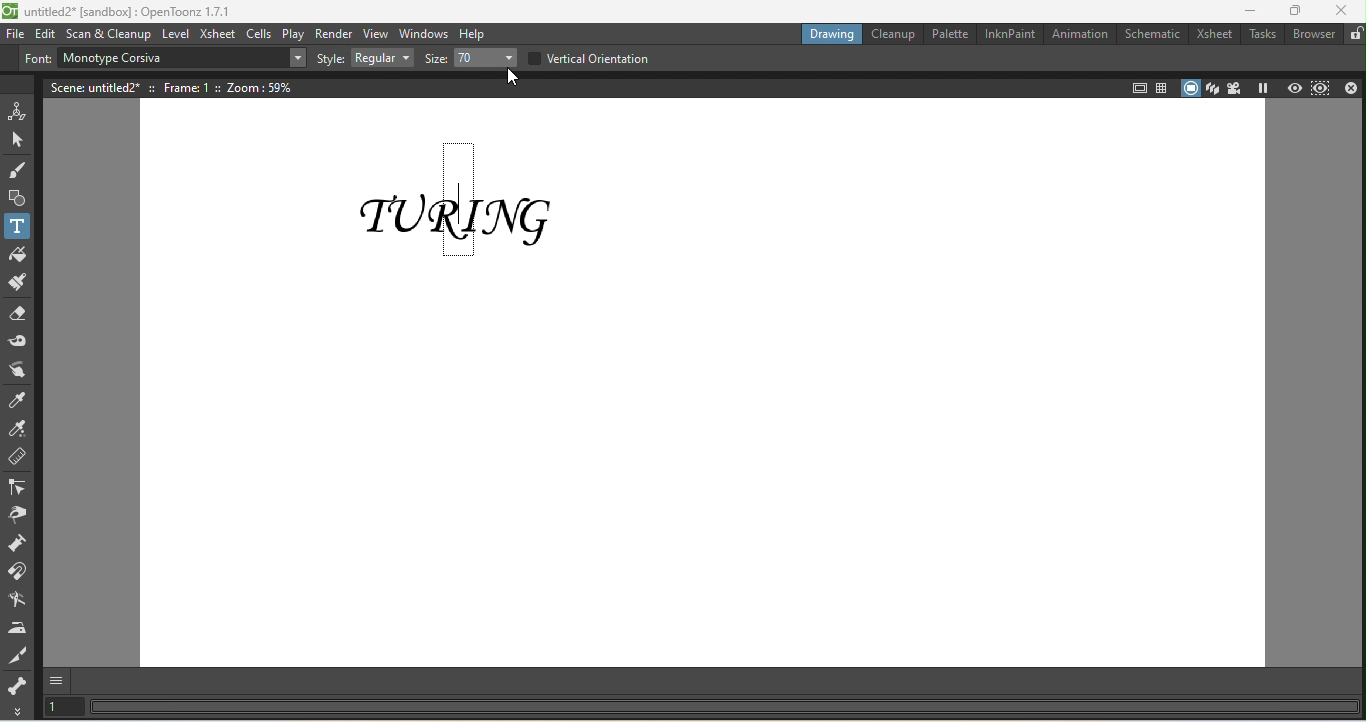  What do you see at coordinates (432, 60) in the screenshot?
I see `Size` at bounding box center [432, 60].